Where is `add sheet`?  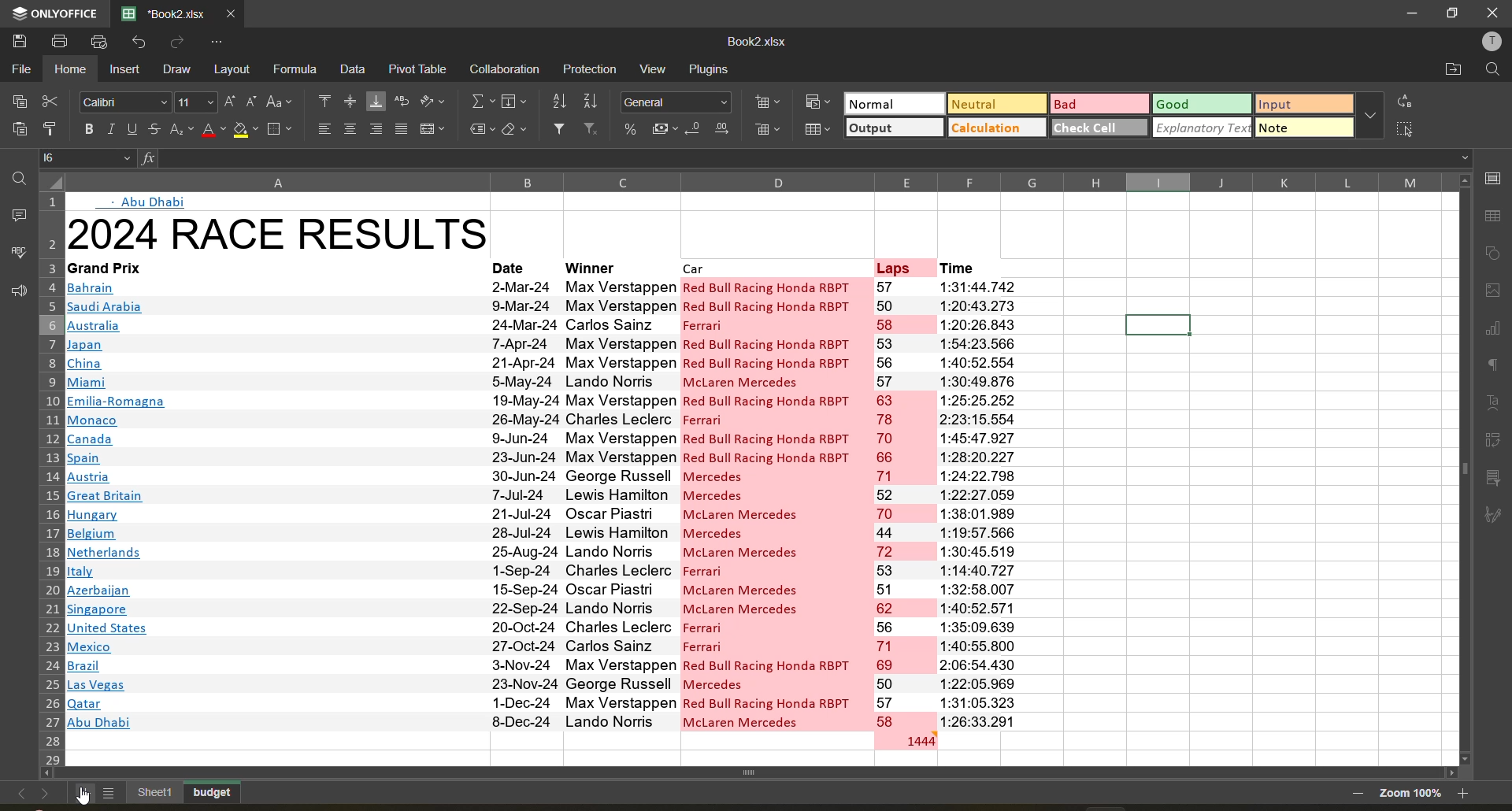 add sheet is located at coordinates (82, 794).